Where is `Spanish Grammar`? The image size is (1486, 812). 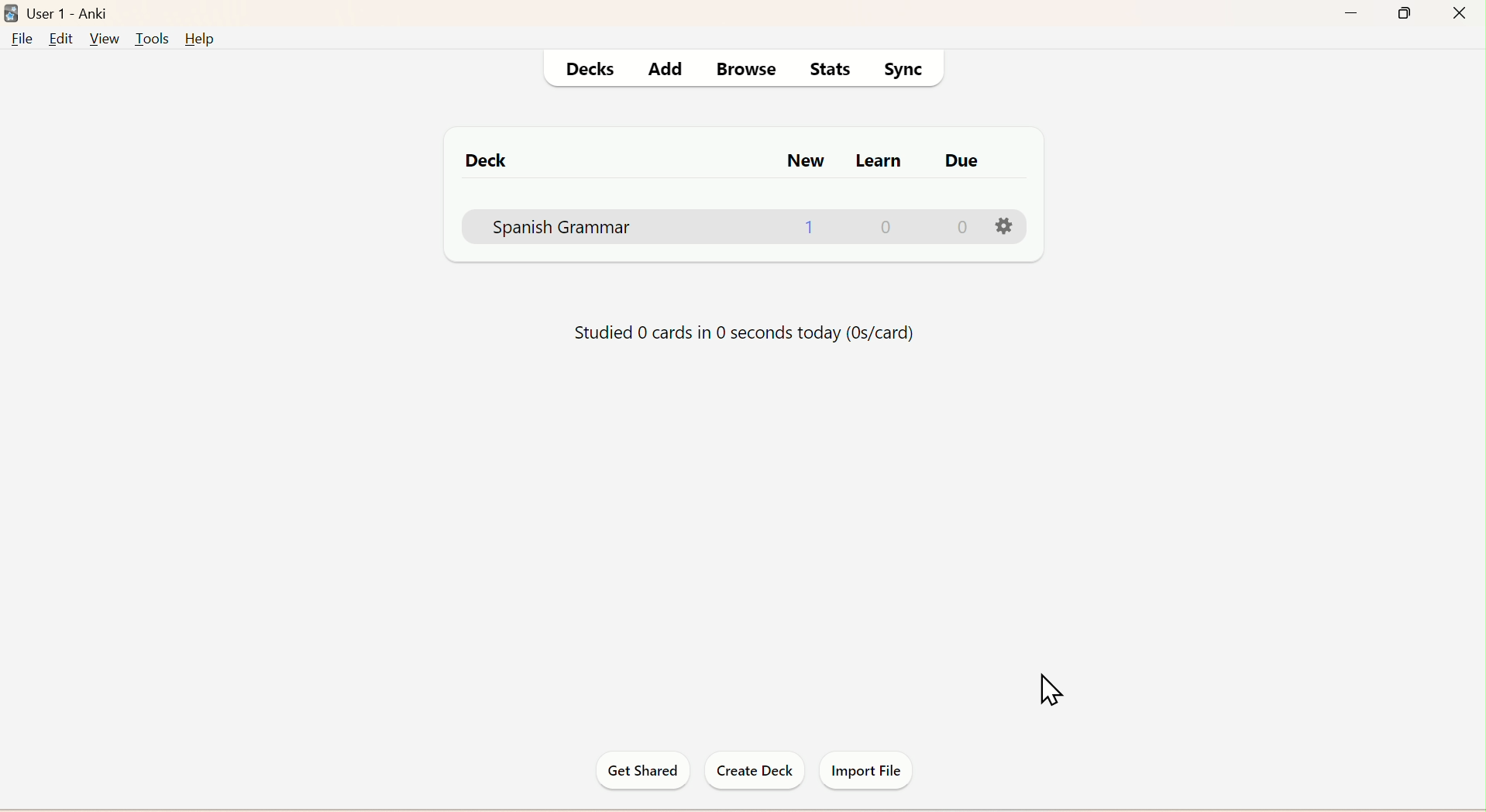
Spanish Grammar is located at coordinates (758, 229).